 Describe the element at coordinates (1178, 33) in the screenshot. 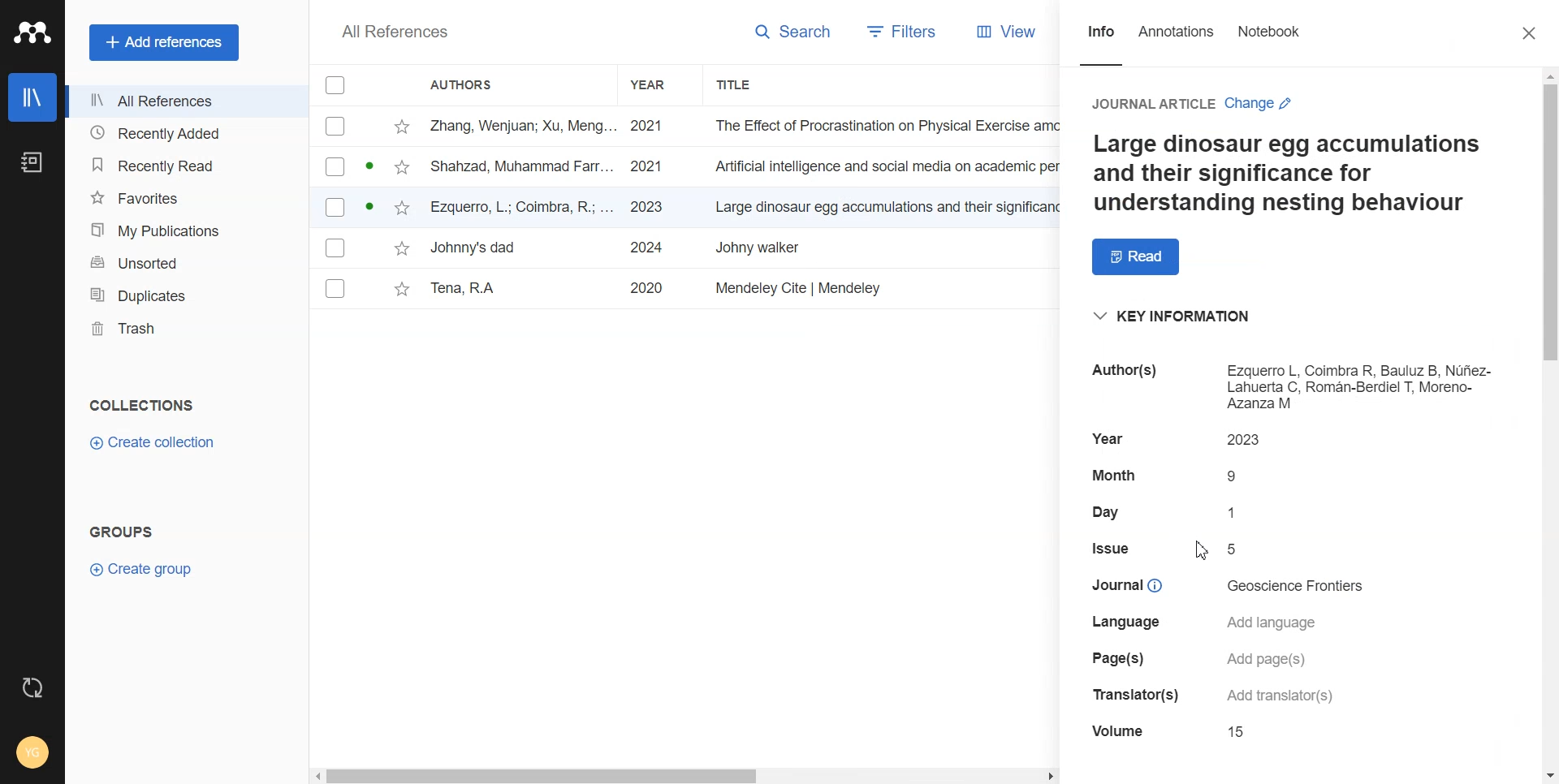

I see `Annotations` at that location.